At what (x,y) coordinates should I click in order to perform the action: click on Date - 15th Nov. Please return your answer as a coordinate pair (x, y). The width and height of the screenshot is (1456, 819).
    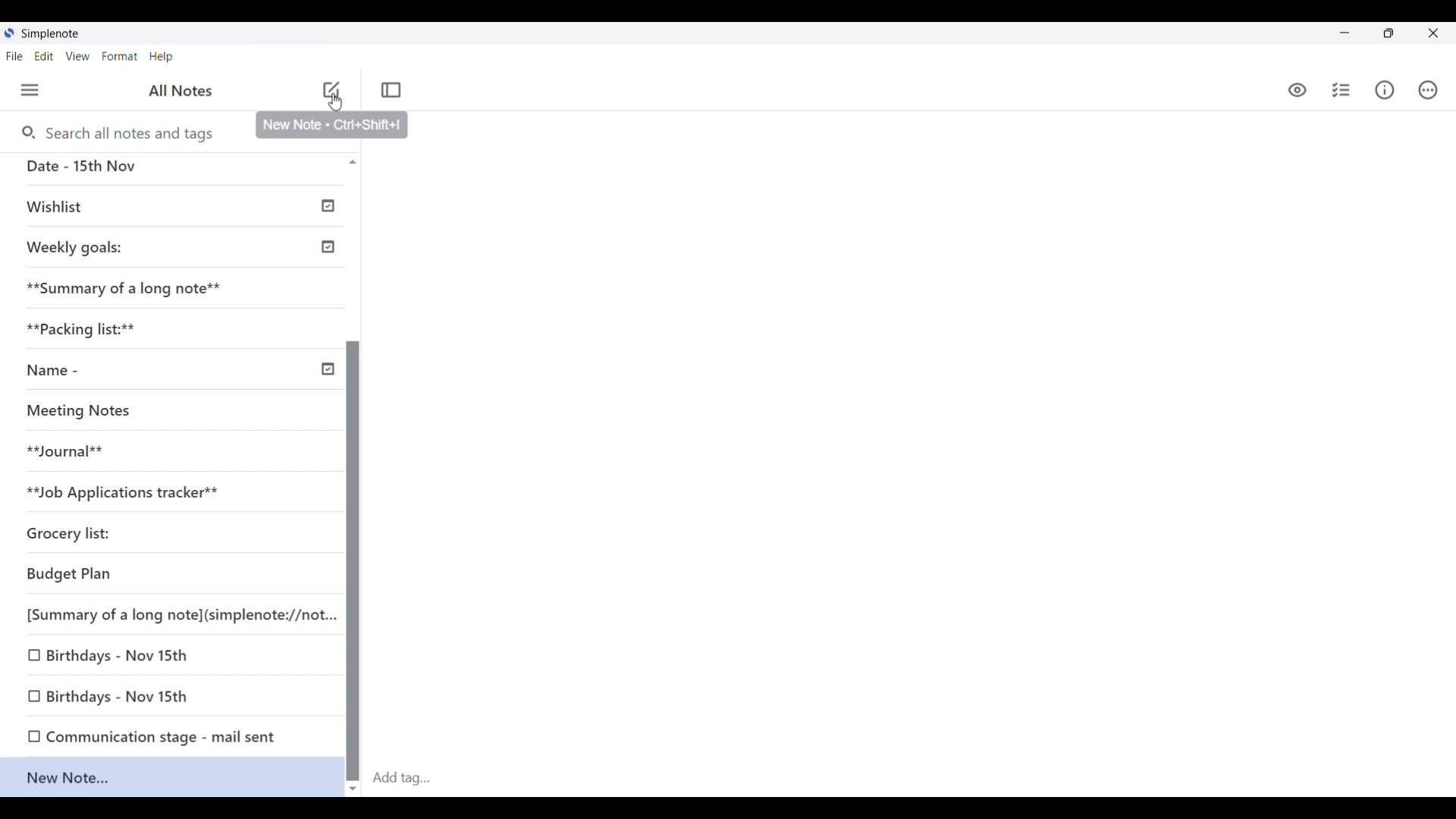
    Looking at the image, I should click on (93, 168).